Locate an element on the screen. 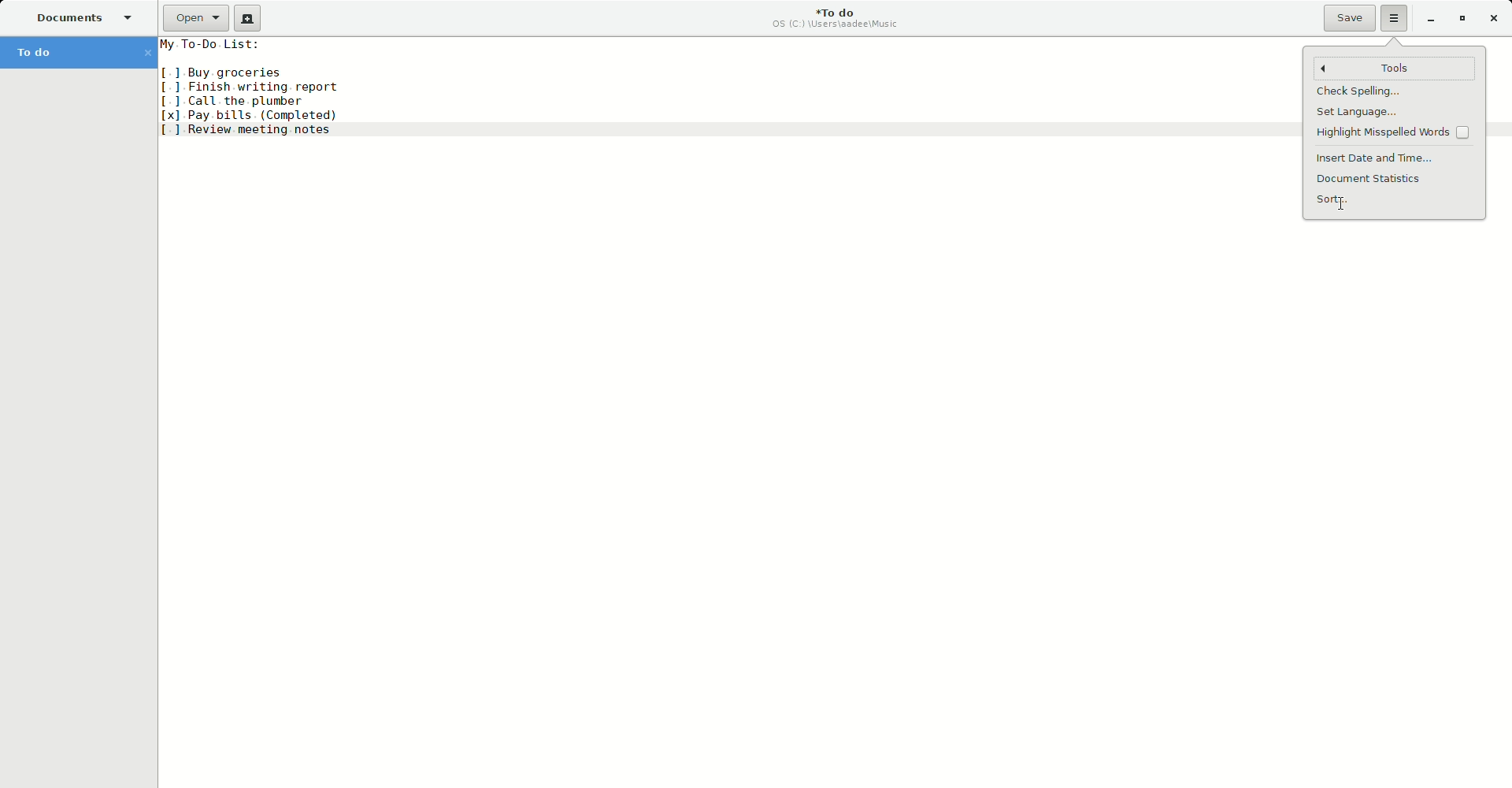  set language is located at coordinates (1376, 111).